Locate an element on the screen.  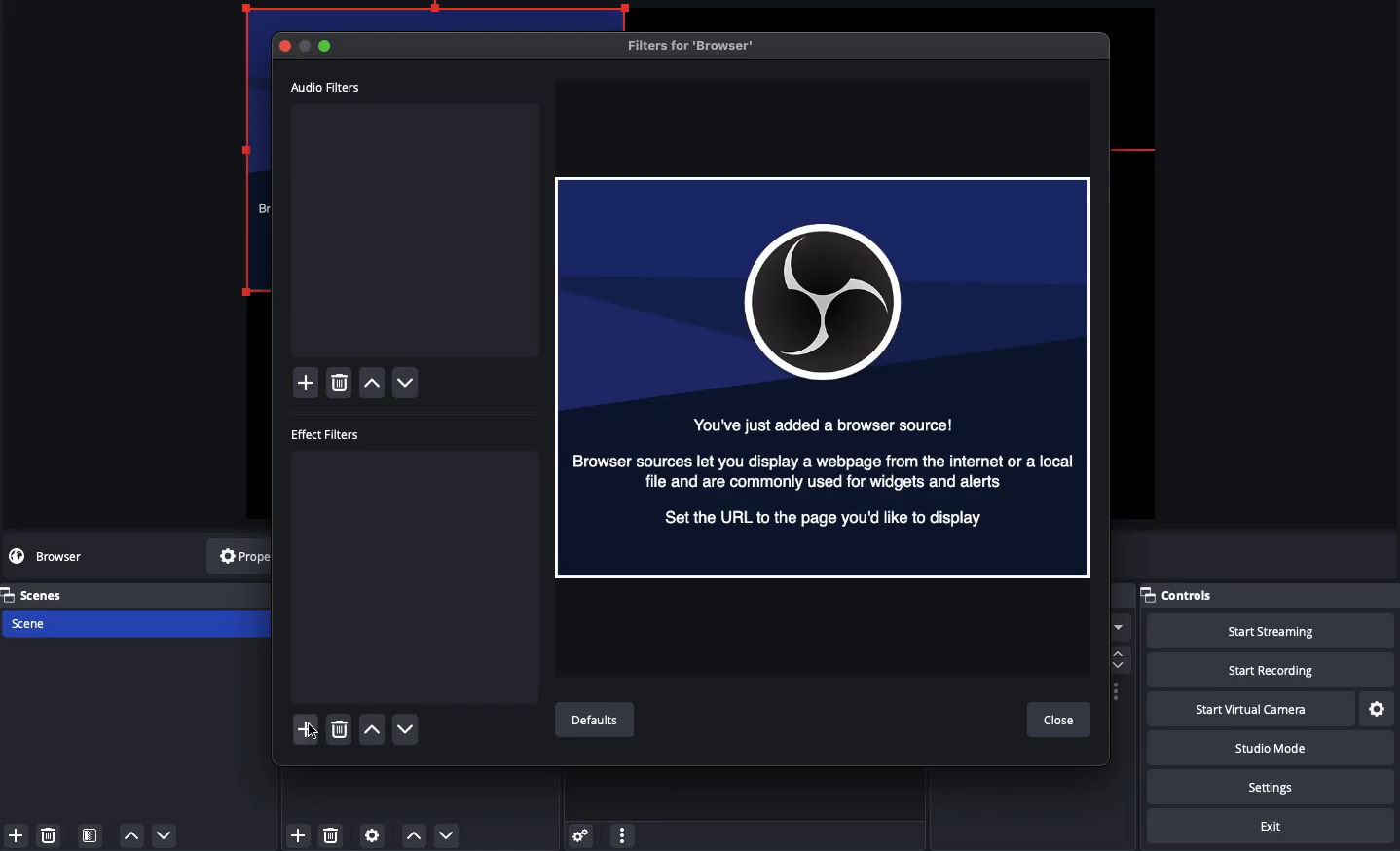
more is located at coordinates (1117, 625).